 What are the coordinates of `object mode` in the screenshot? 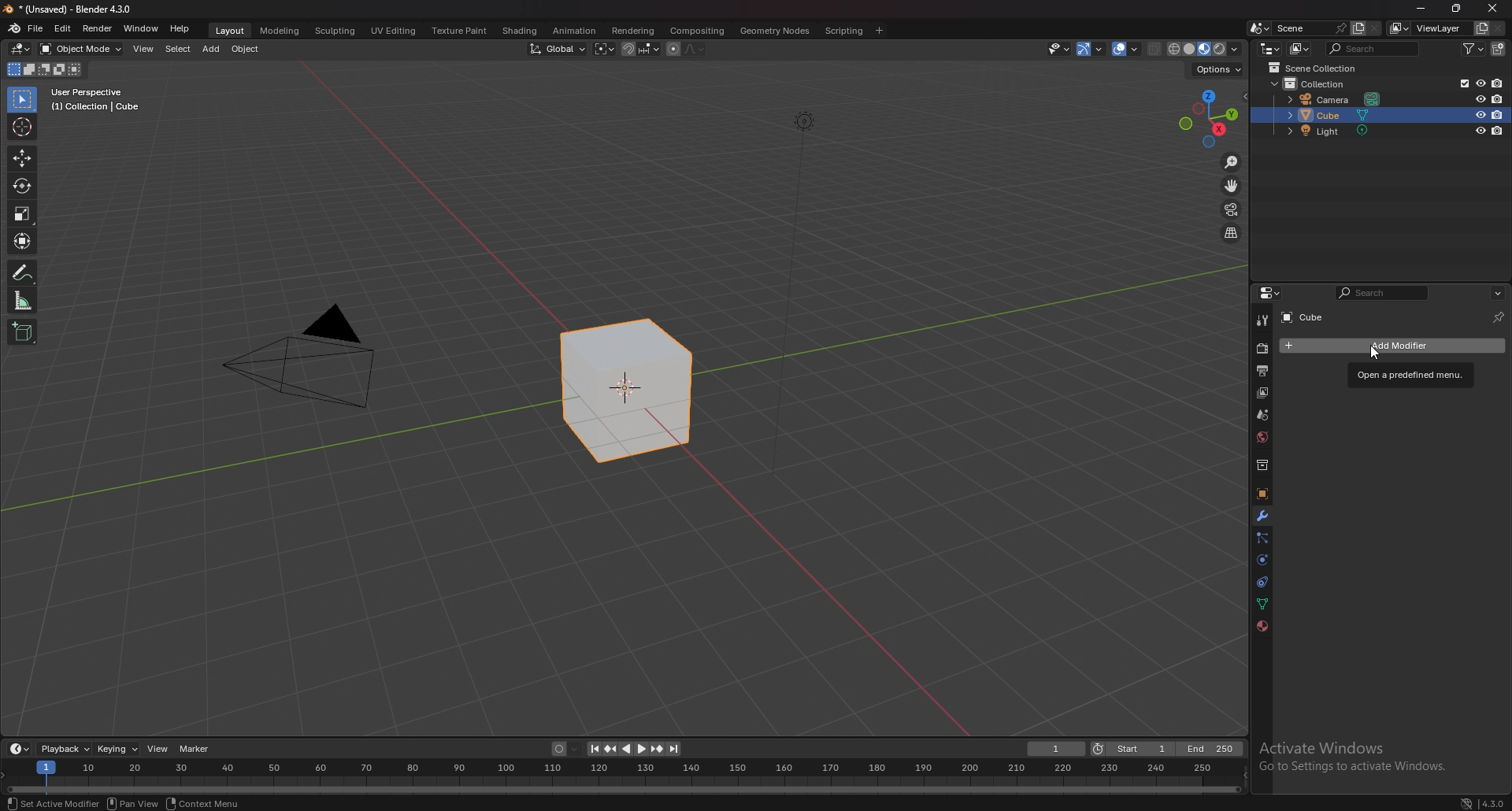 It's located at (81, 48).